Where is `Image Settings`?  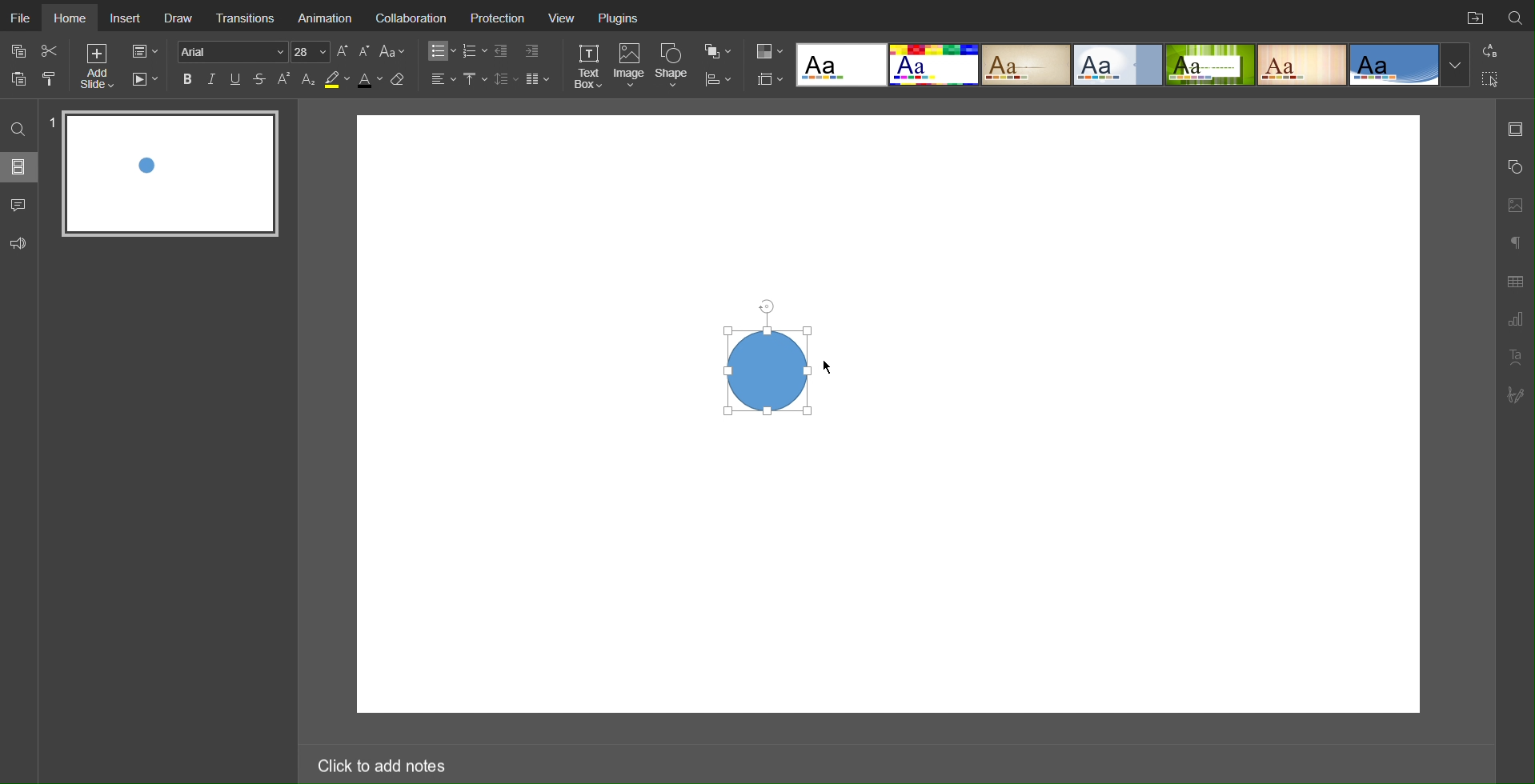 Image Settings is located at coordinates (1514, 203).